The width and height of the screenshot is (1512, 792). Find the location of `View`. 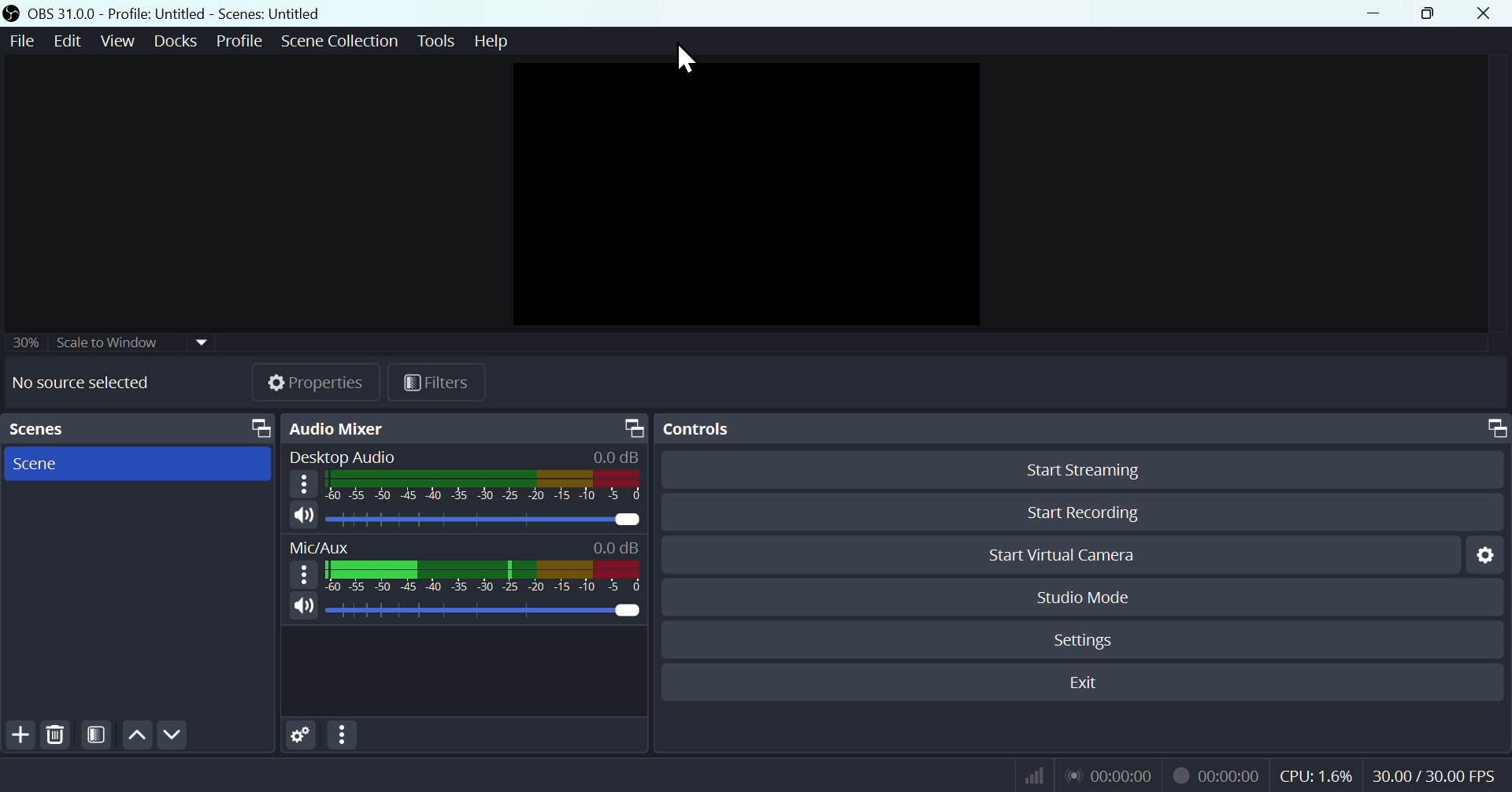

View is located at coordinates (117, 39).